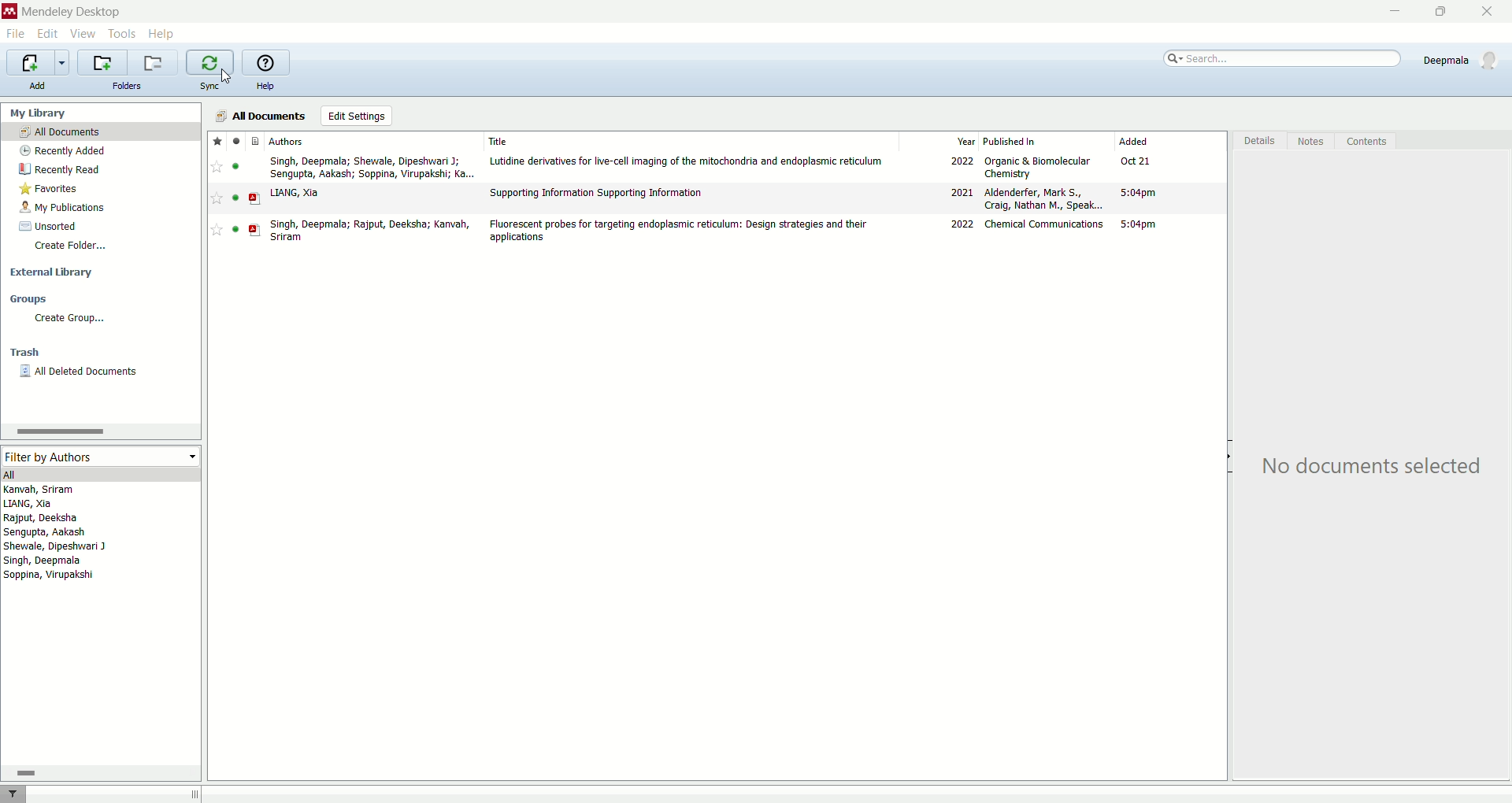  Describe the element at coordinates (235, 166) in the screenshot. I see `Indicates file is read` at that location.